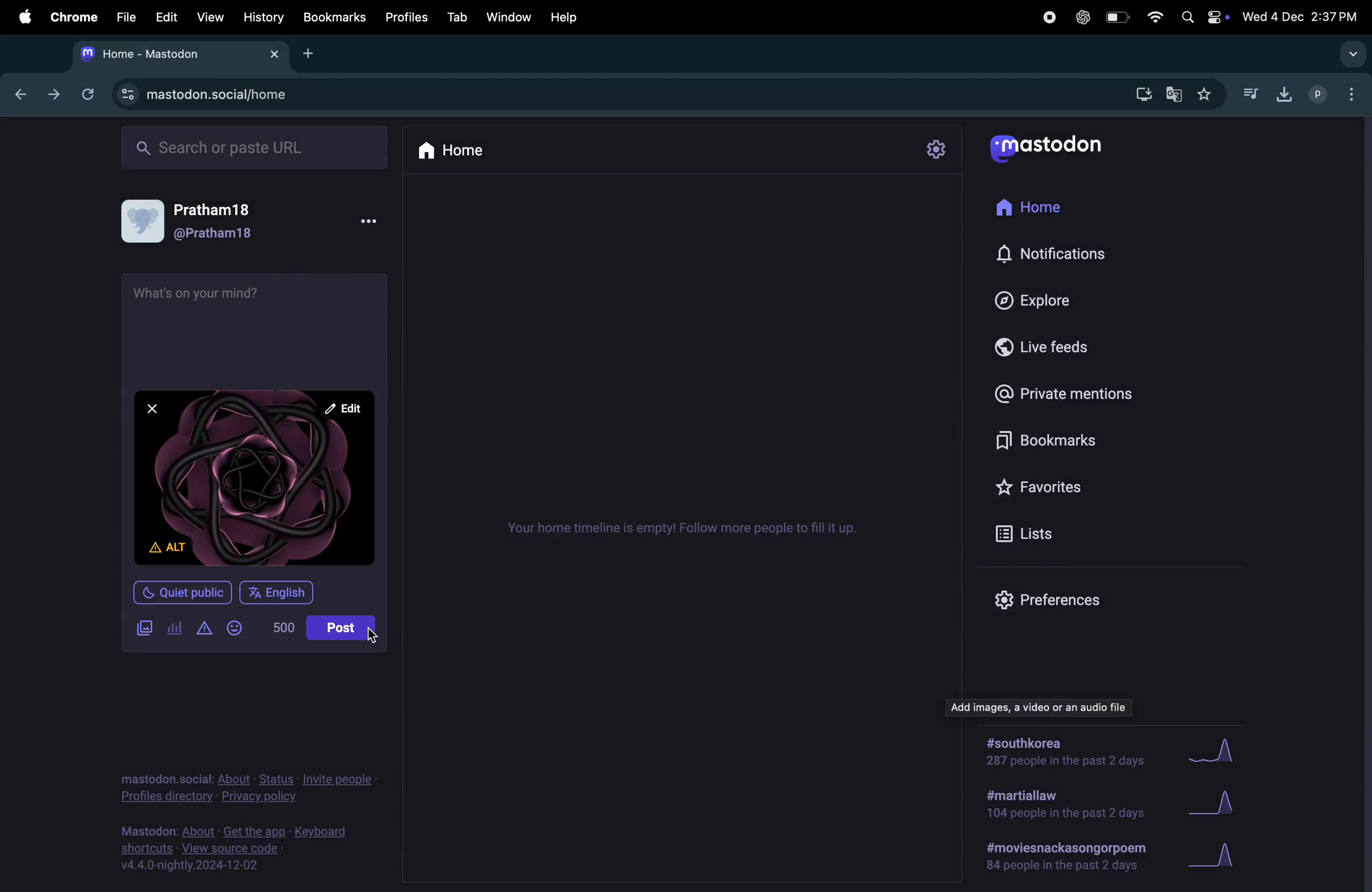 The height and width of the screenshot is (892, 1372). Describe the element at coordinates (20, 17) in the screenshot. I see `apple menu` at that location.